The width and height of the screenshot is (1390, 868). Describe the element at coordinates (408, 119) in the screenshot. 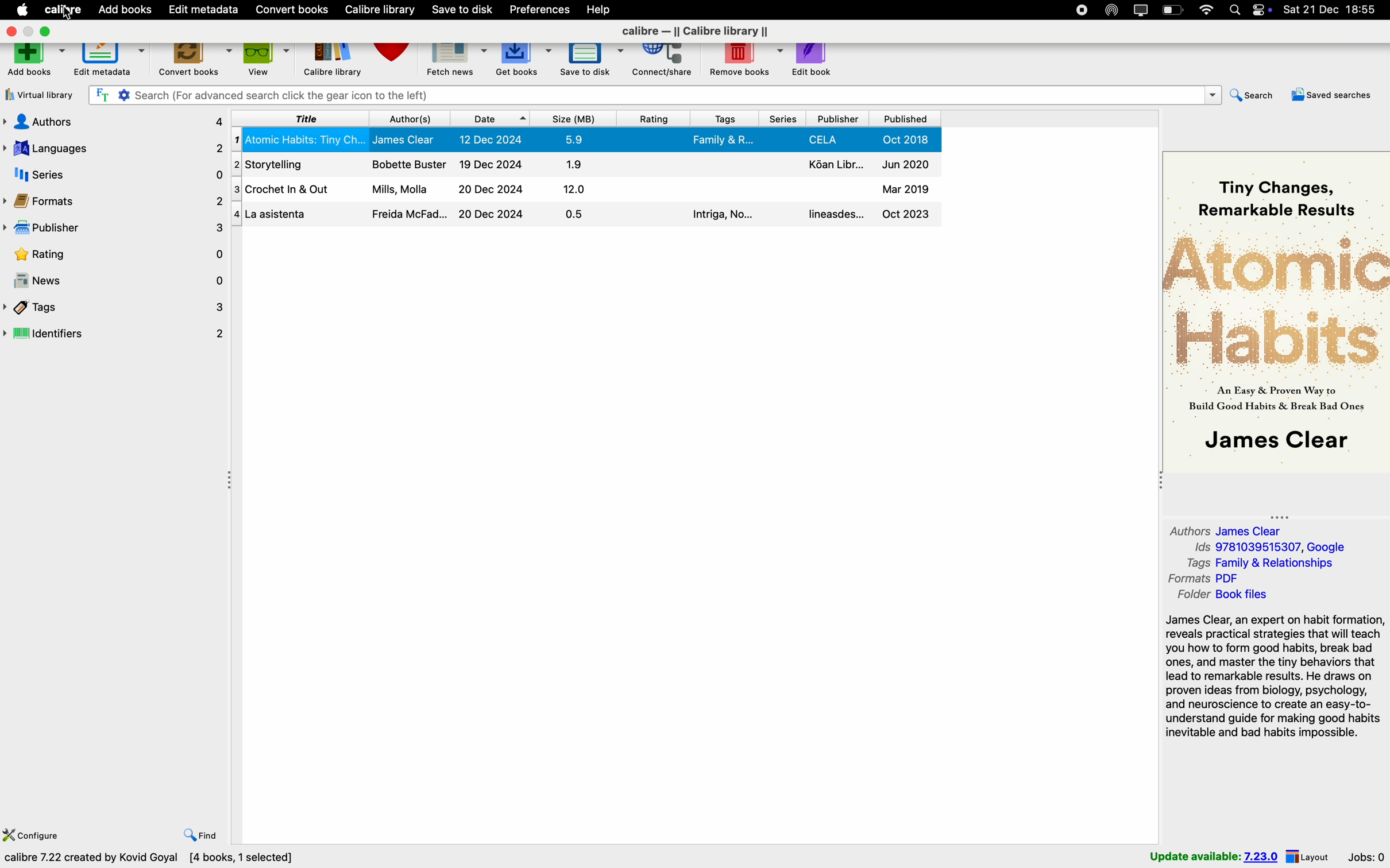

I see `author(s)` at that location.